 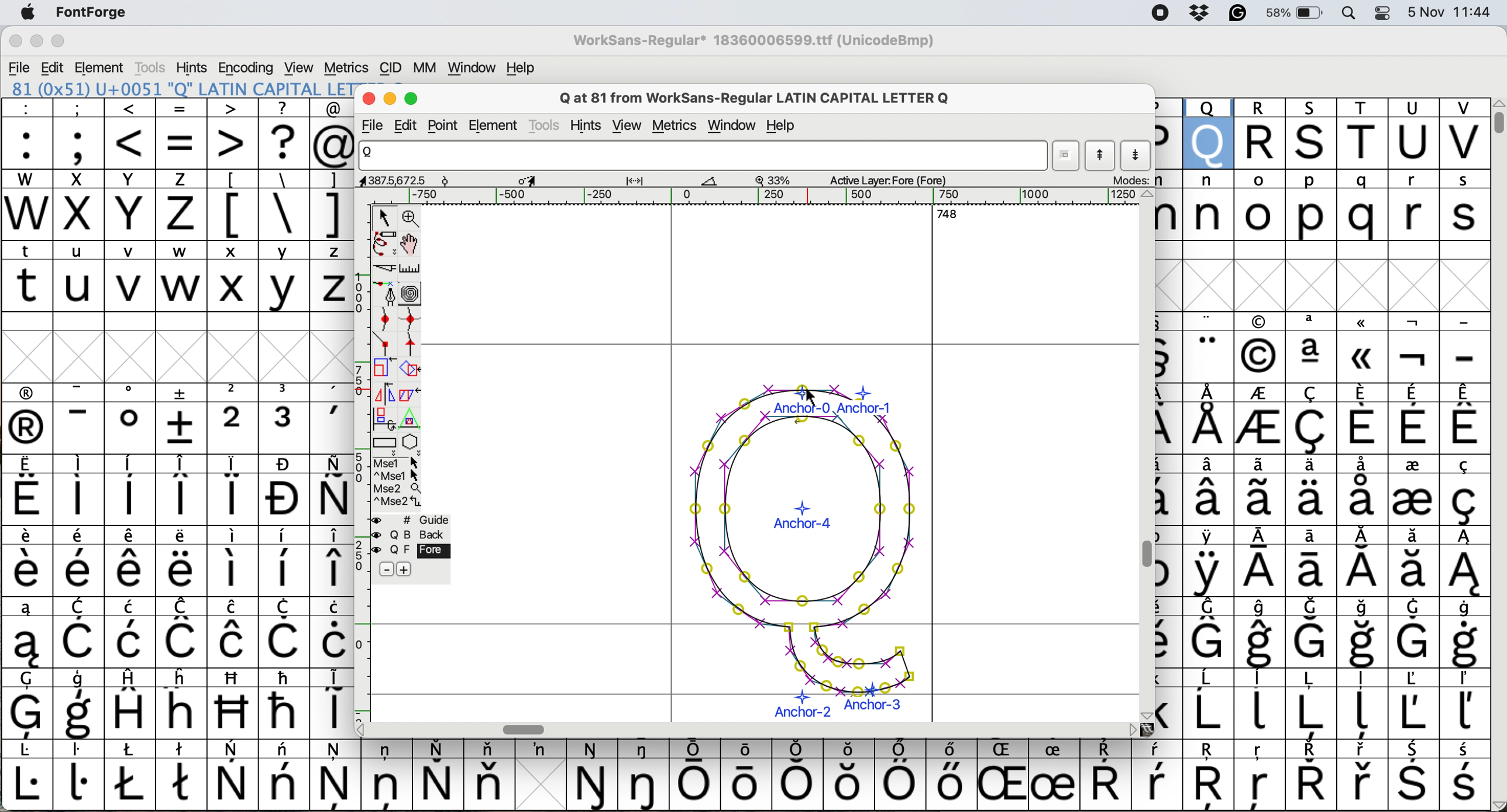 I want to click on vertical scroll bar, so click(x=1145, y=555).